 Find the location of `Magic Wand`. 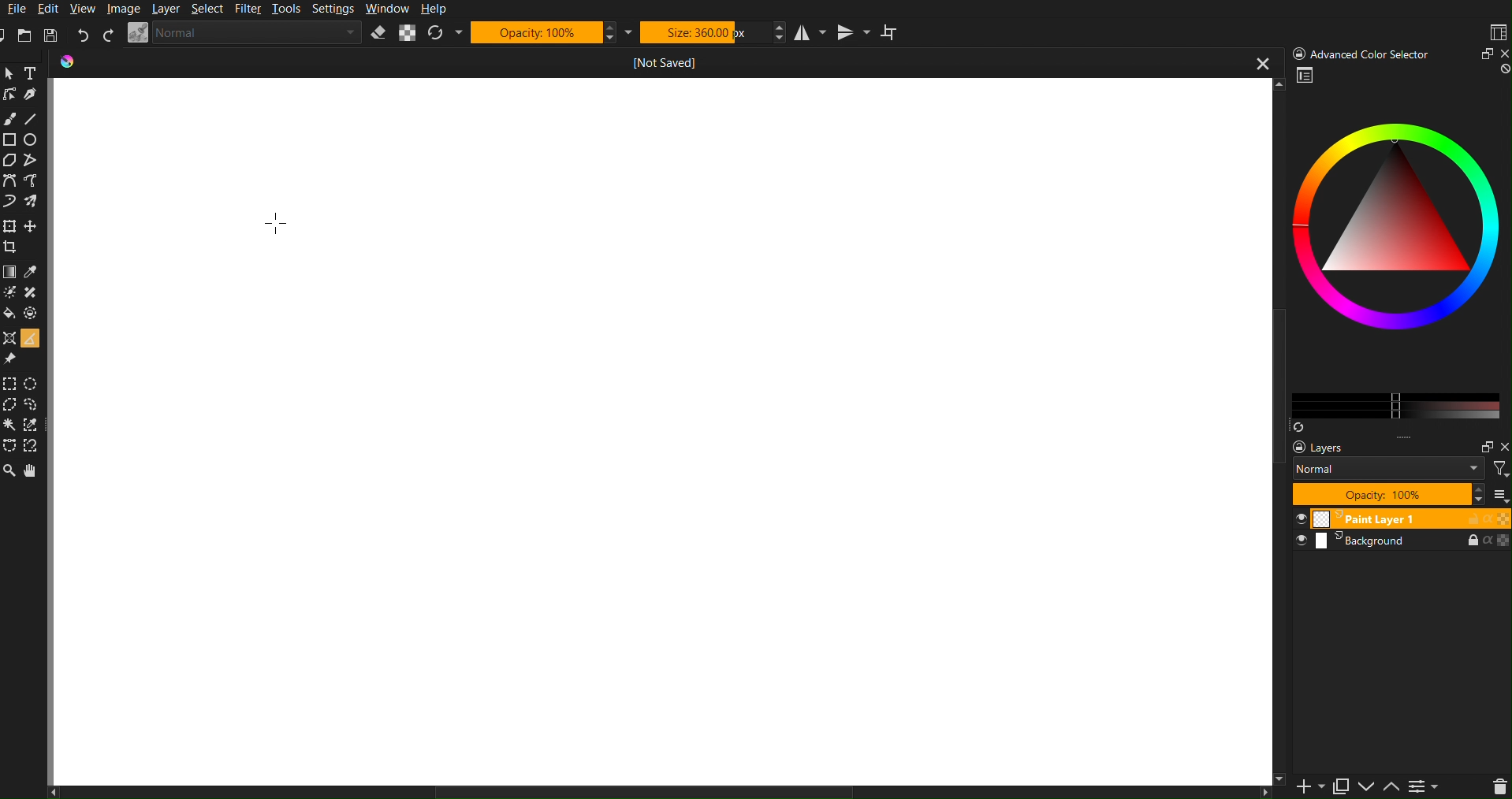

Magic Wand is located at coordinates (11, 426).